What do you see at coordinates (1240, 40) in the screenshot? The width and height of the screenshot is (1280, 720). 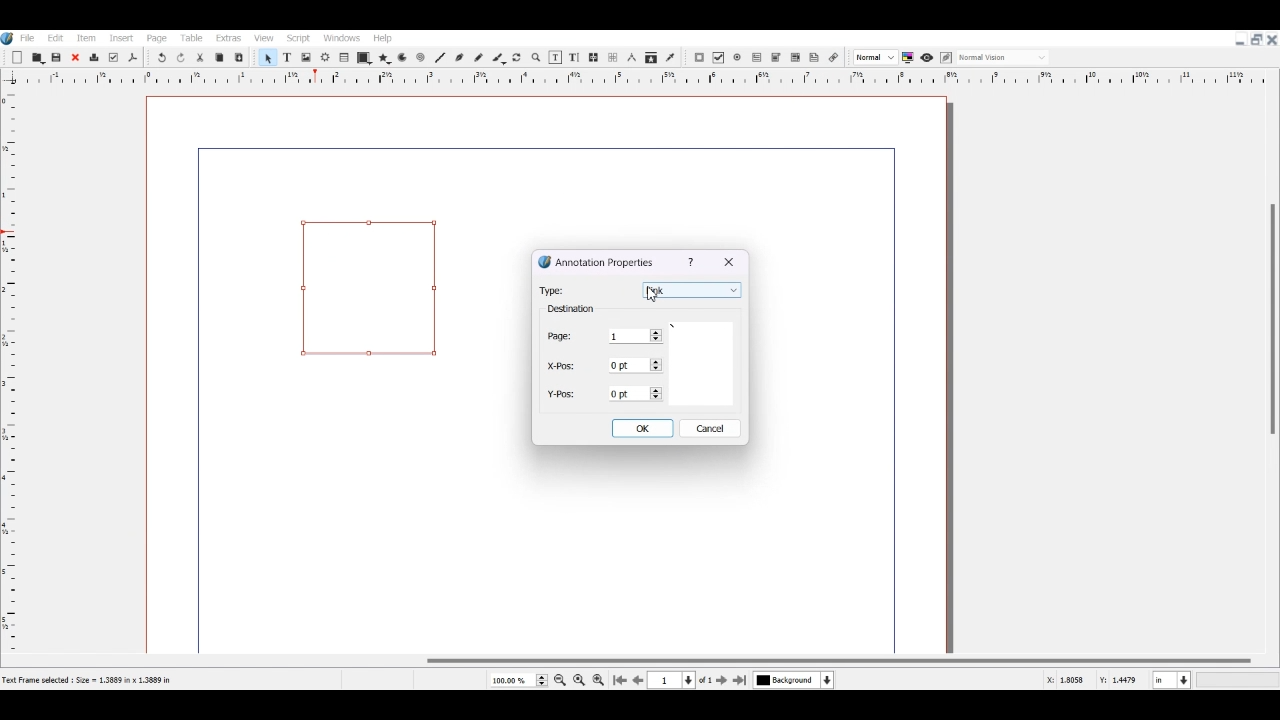 I see `Minimize` at bounding box center [1240, 40].